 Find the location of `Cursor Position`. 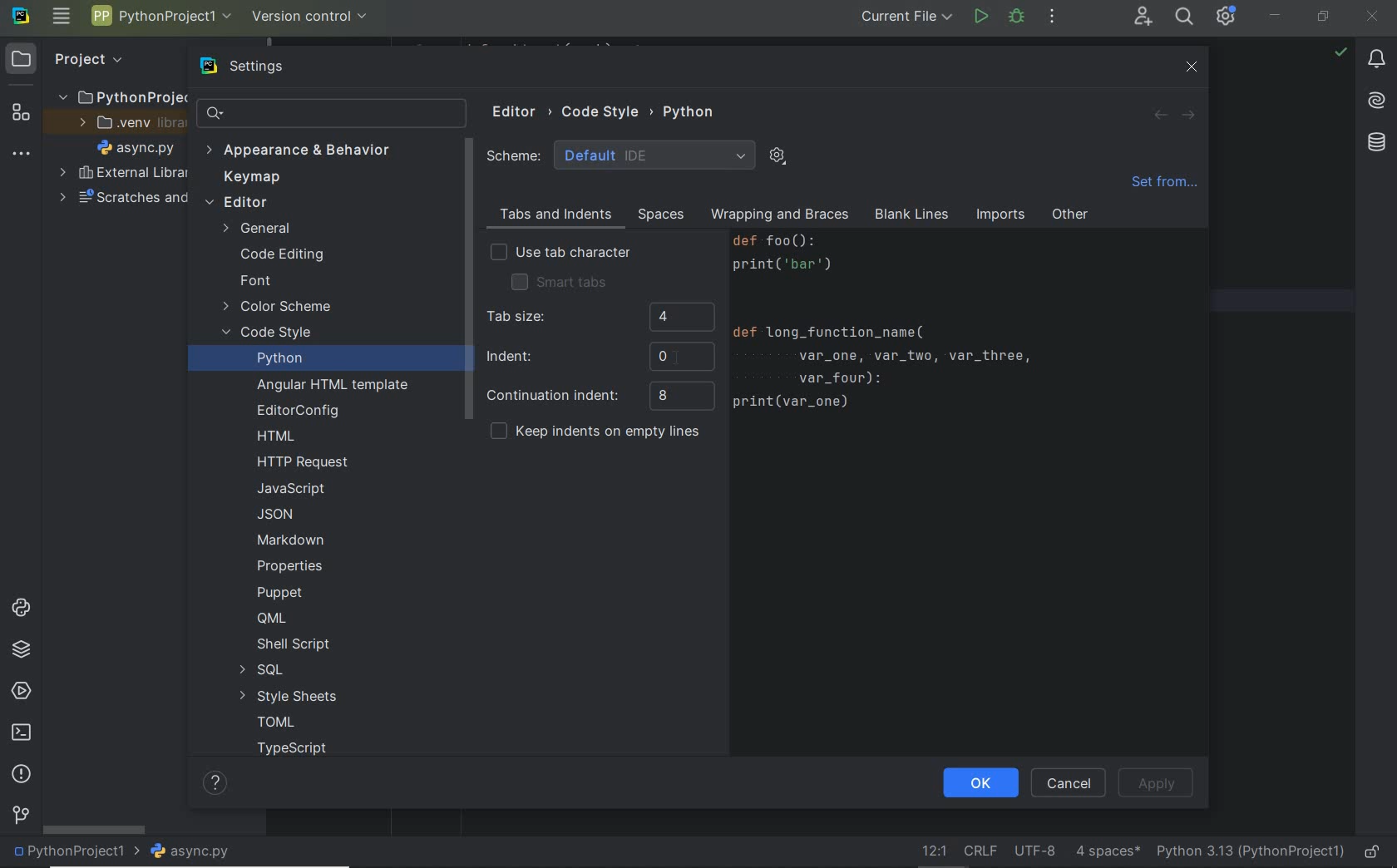

Cursor Position is located at coordinates (676, 357).